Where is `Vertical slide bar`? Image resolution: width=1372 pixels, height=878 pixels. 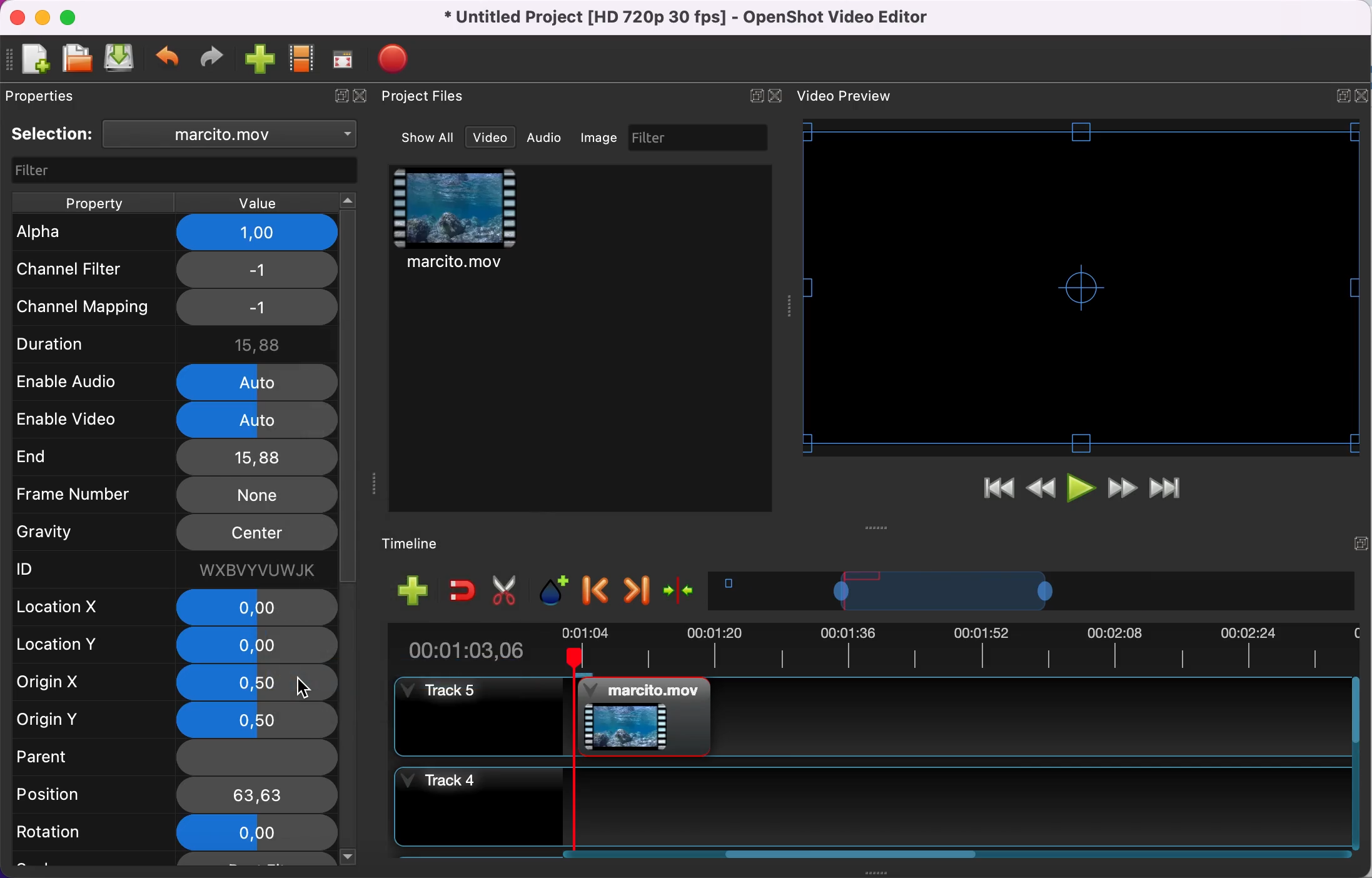
Vertical slide bar is located at coordinates (1356, 763).